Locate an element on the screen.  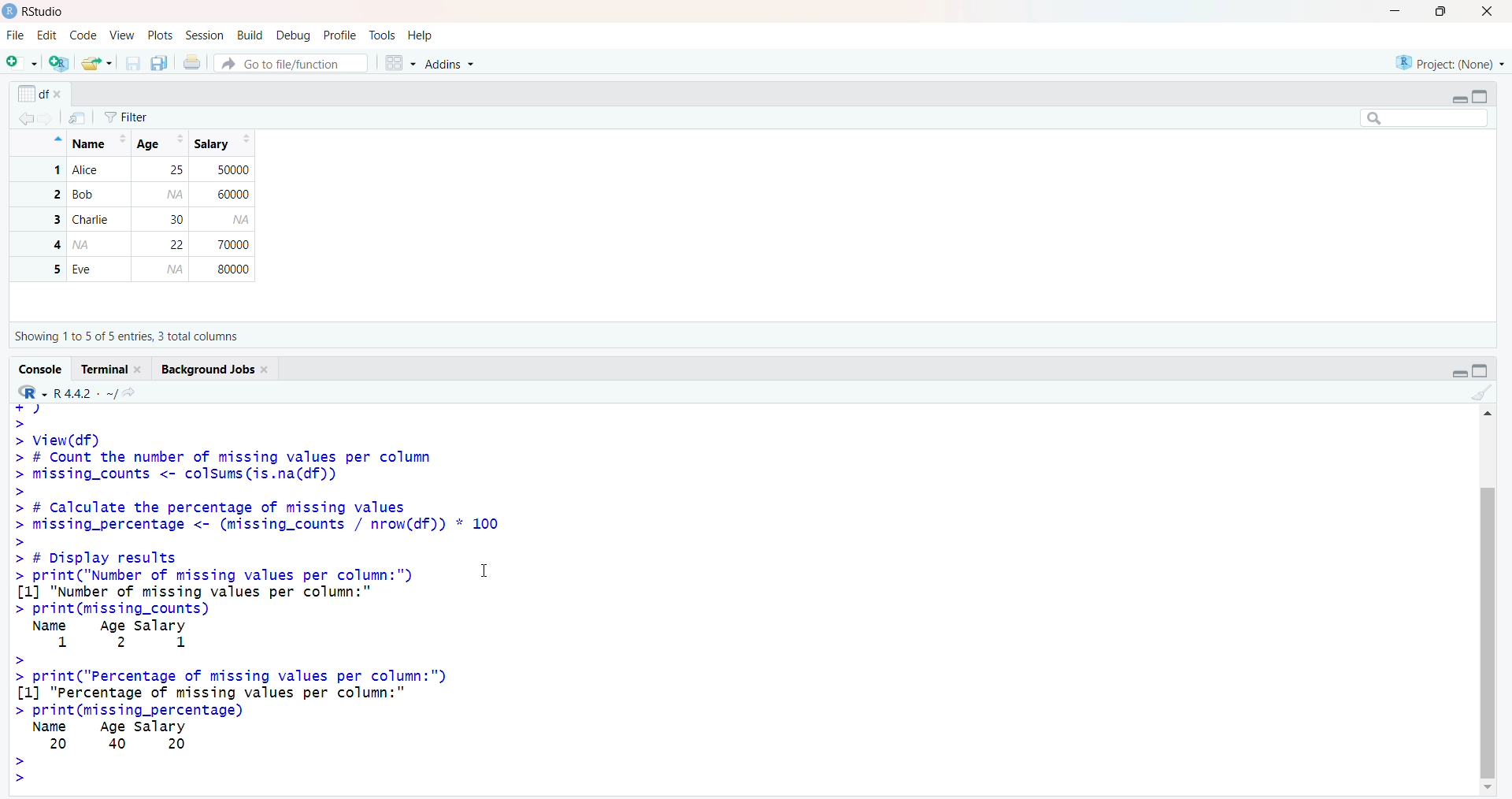
Create a project is located at coordinates (57, 63).